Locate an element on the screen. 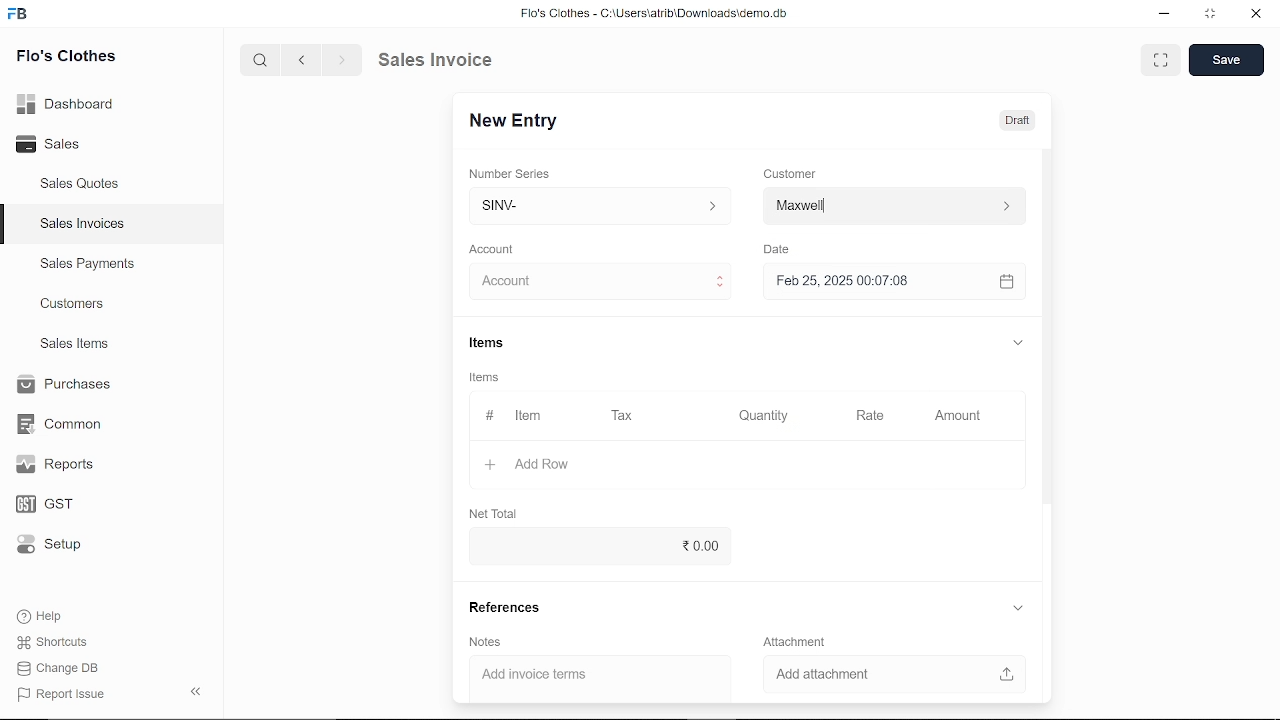  ‘Number Series is located at coordinates (510, 173).